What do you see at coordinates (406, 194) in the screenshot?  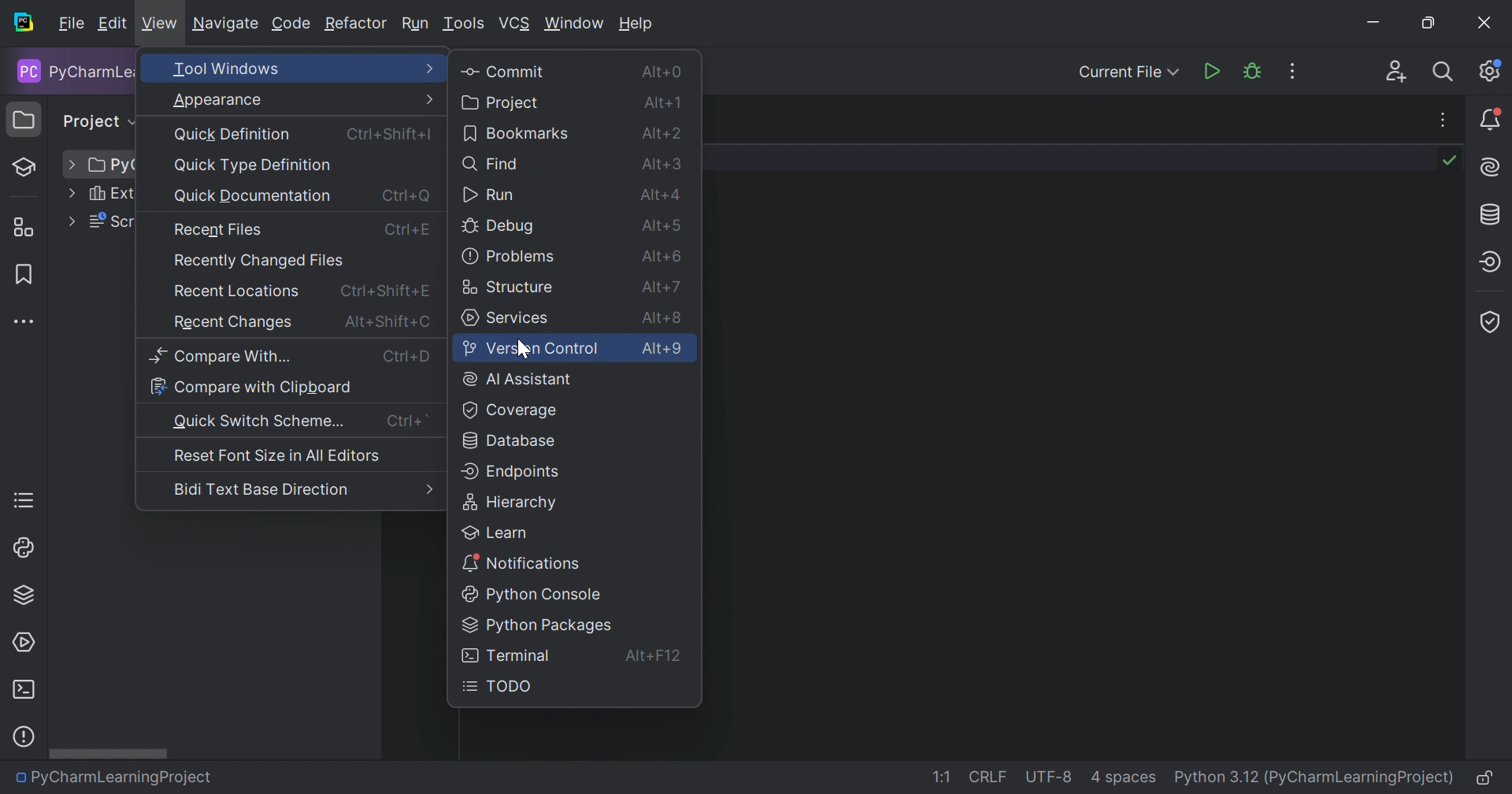 I see `Ctrl+Q` at bounding box center [406, 194].